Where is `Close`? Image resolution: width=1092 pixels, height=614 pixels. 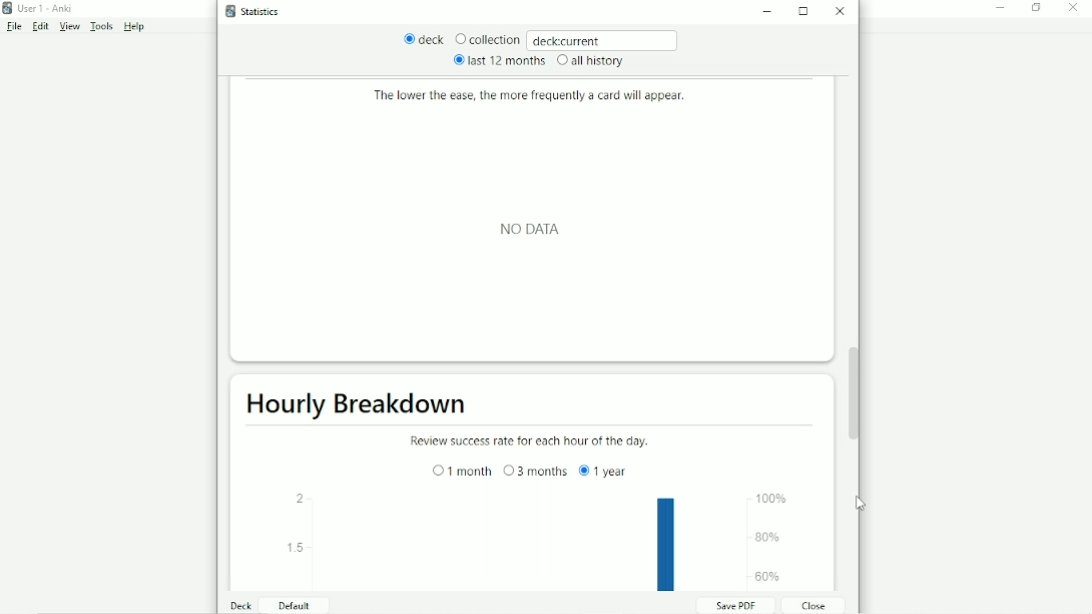 Close is located at coordinates (1076, 8).